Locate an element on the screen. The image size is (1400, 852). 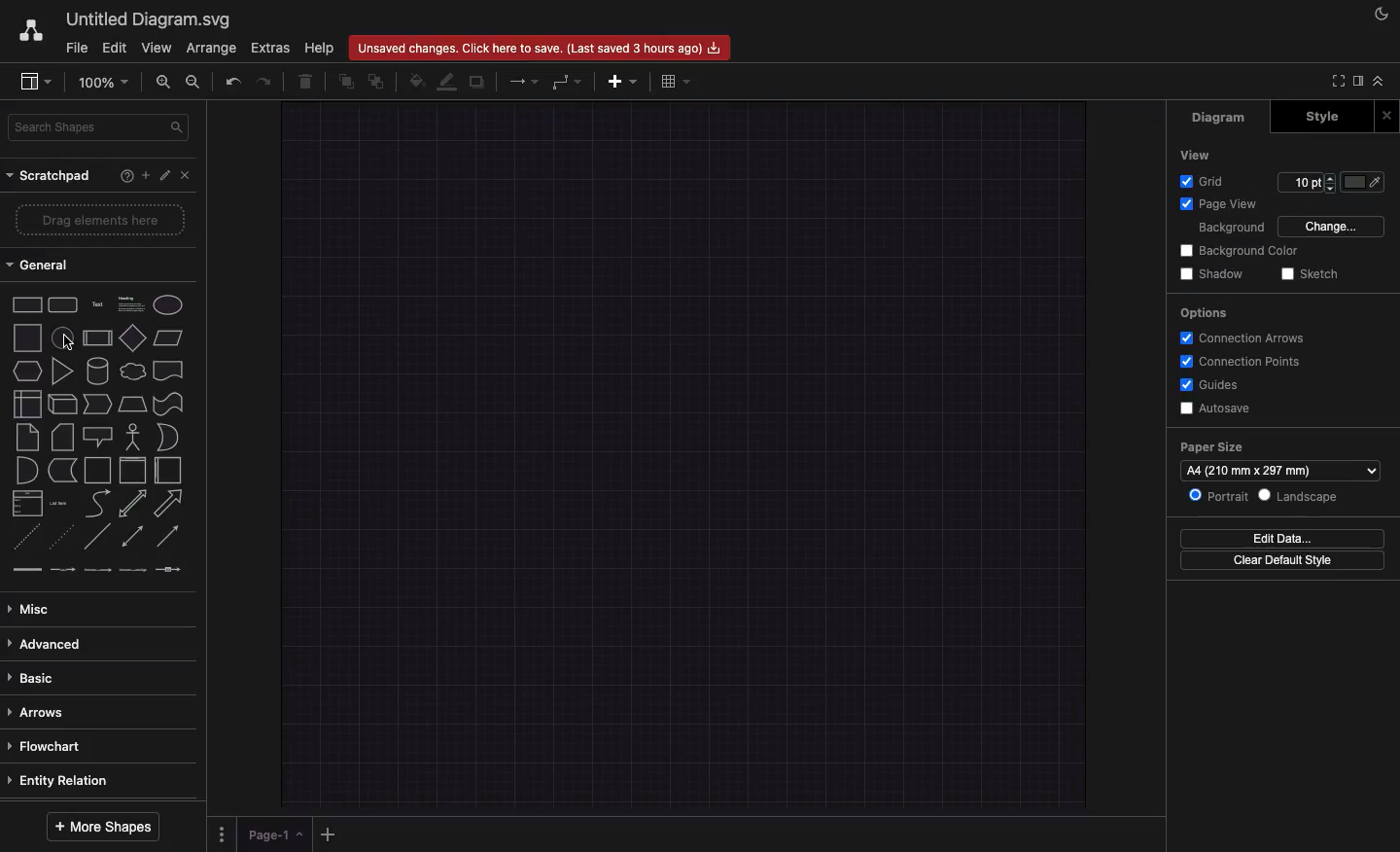
Scratchpad is located at coordinates (50, 175).